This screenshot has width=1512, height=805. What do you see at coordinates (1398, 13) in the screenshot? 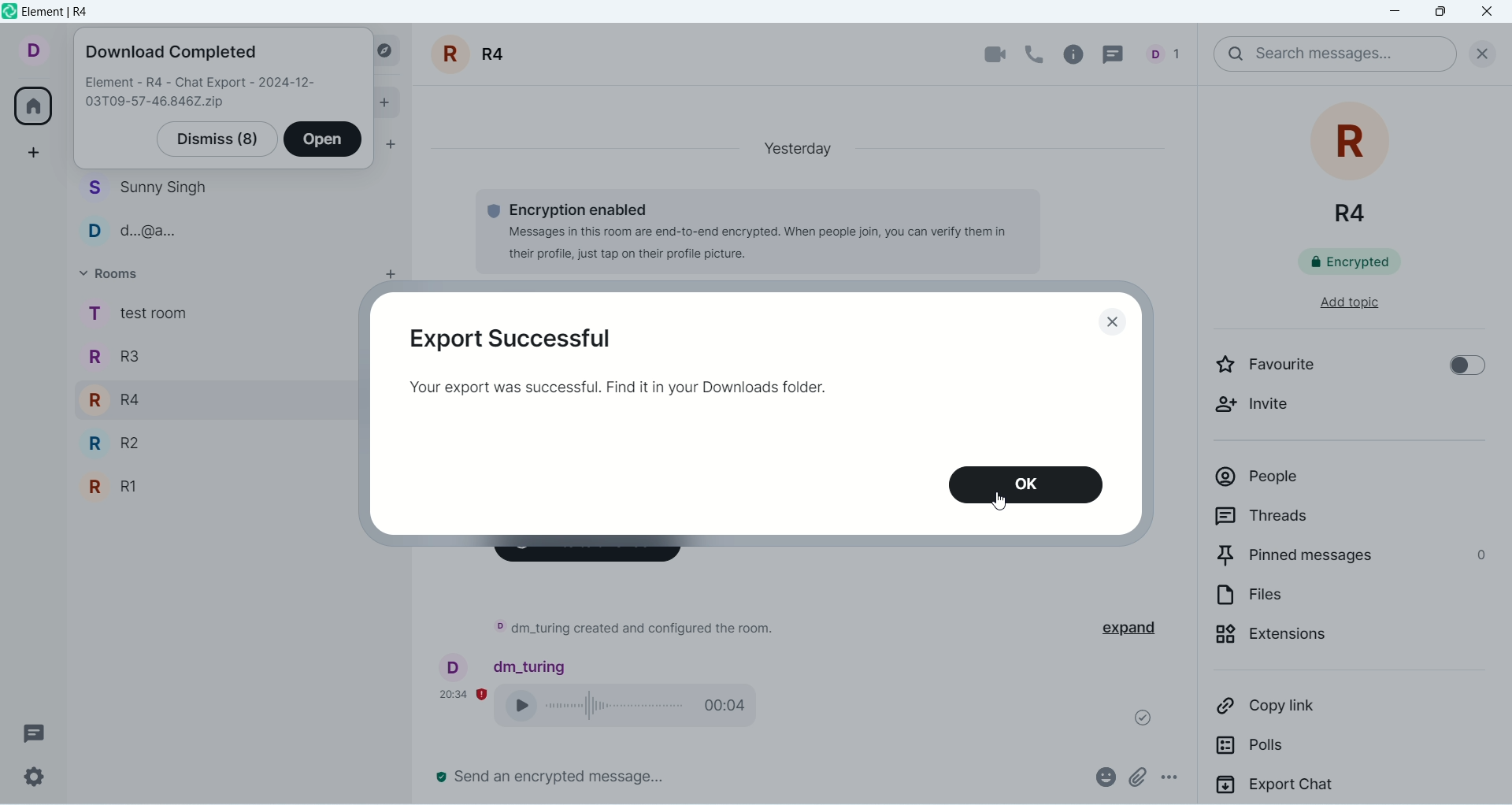
I see `minimize` at bounding box center [1398, 13].